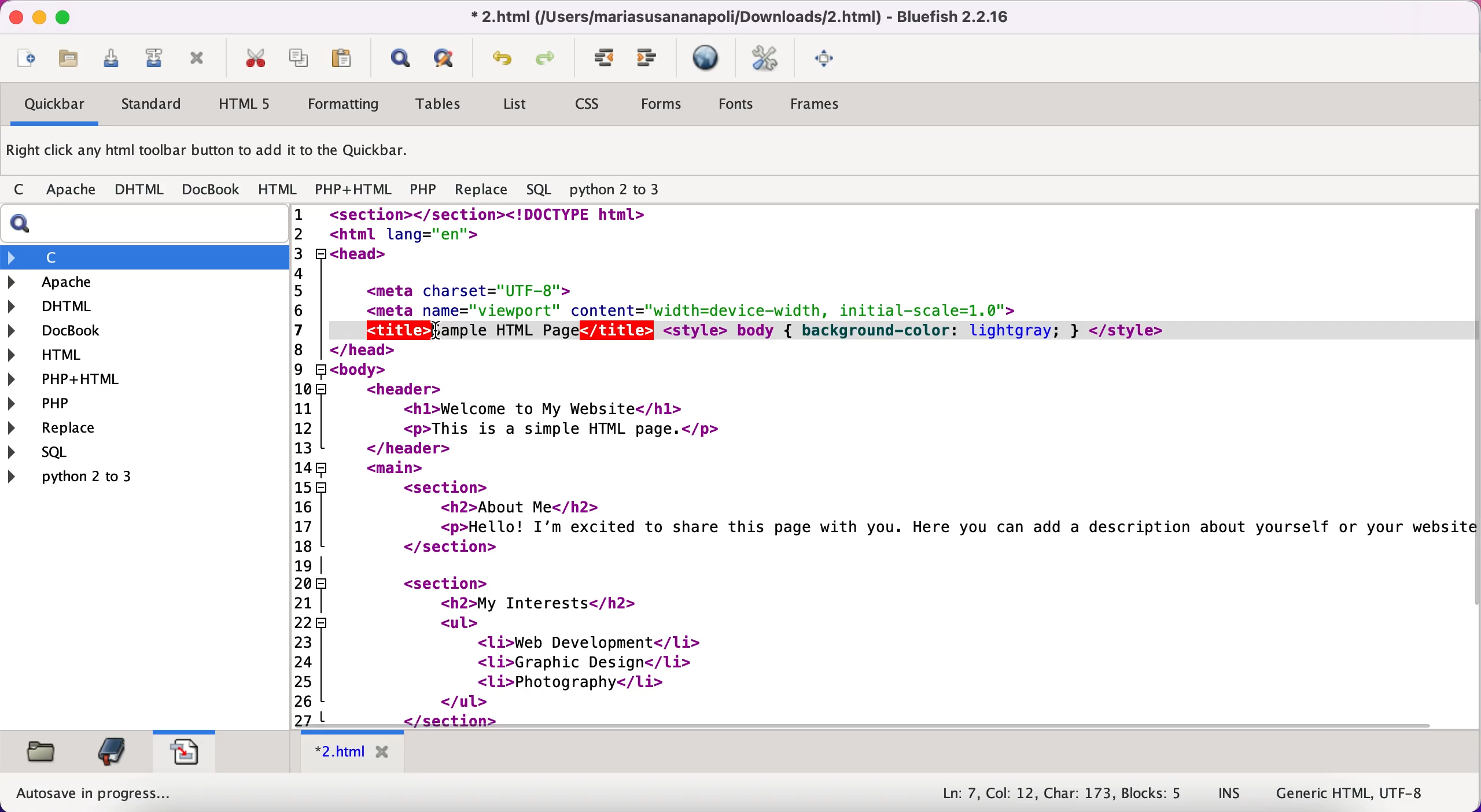  I want to click on php, so click(72, 403).